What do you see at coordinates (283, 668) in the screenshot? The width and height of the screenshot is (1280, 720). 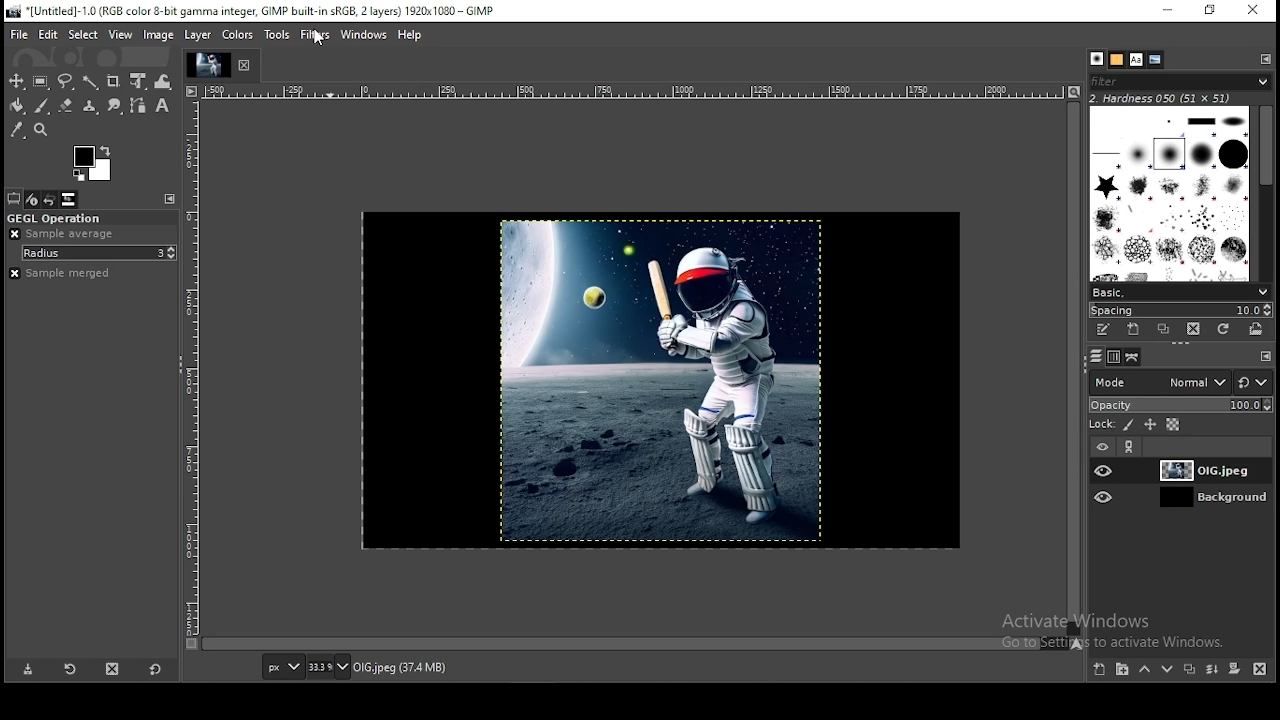 I see `units` at bounding box center [283, 668].